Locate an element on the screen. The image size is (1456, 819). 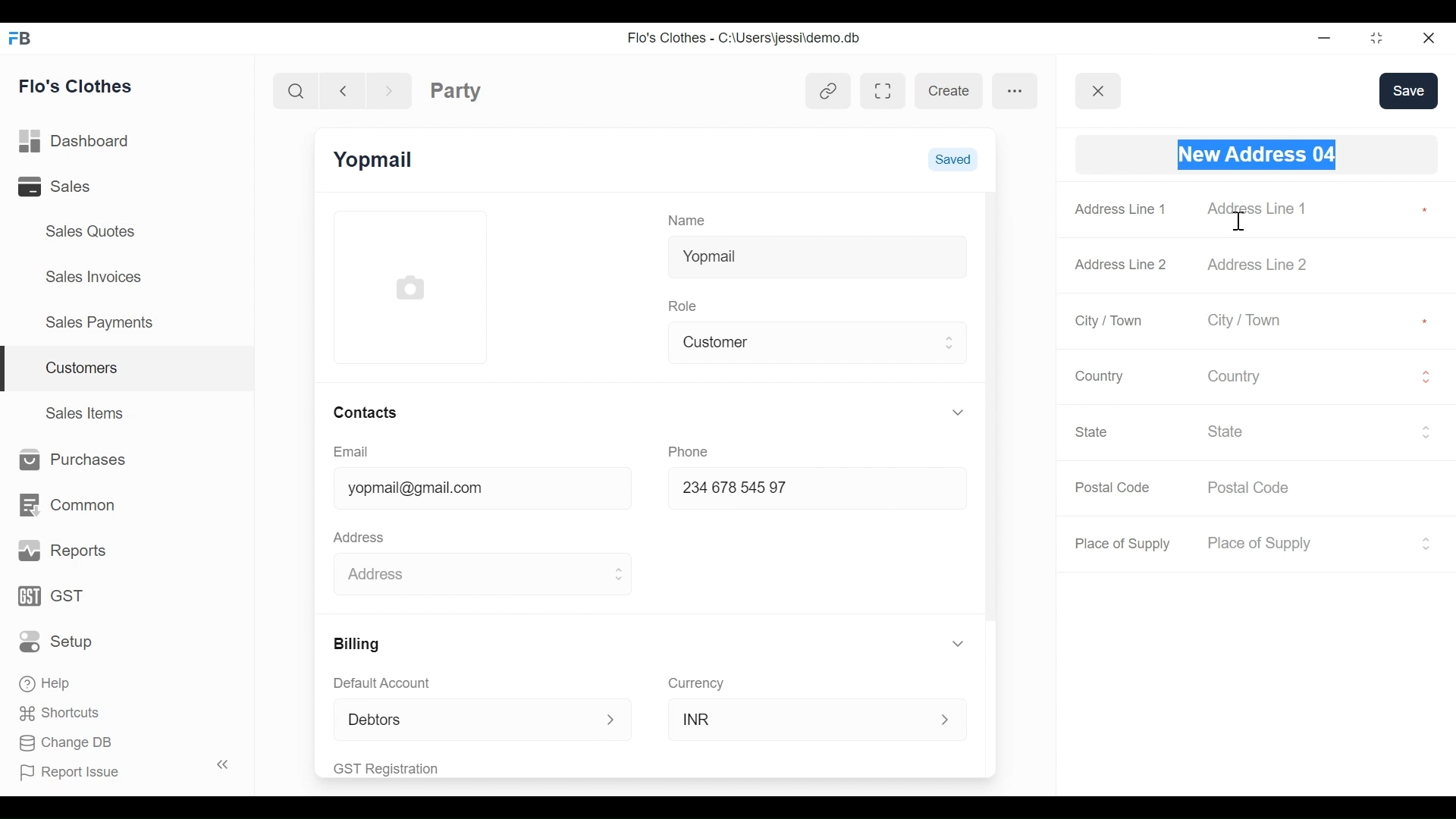
Place of Supply is located at coordinates (1125, 544).